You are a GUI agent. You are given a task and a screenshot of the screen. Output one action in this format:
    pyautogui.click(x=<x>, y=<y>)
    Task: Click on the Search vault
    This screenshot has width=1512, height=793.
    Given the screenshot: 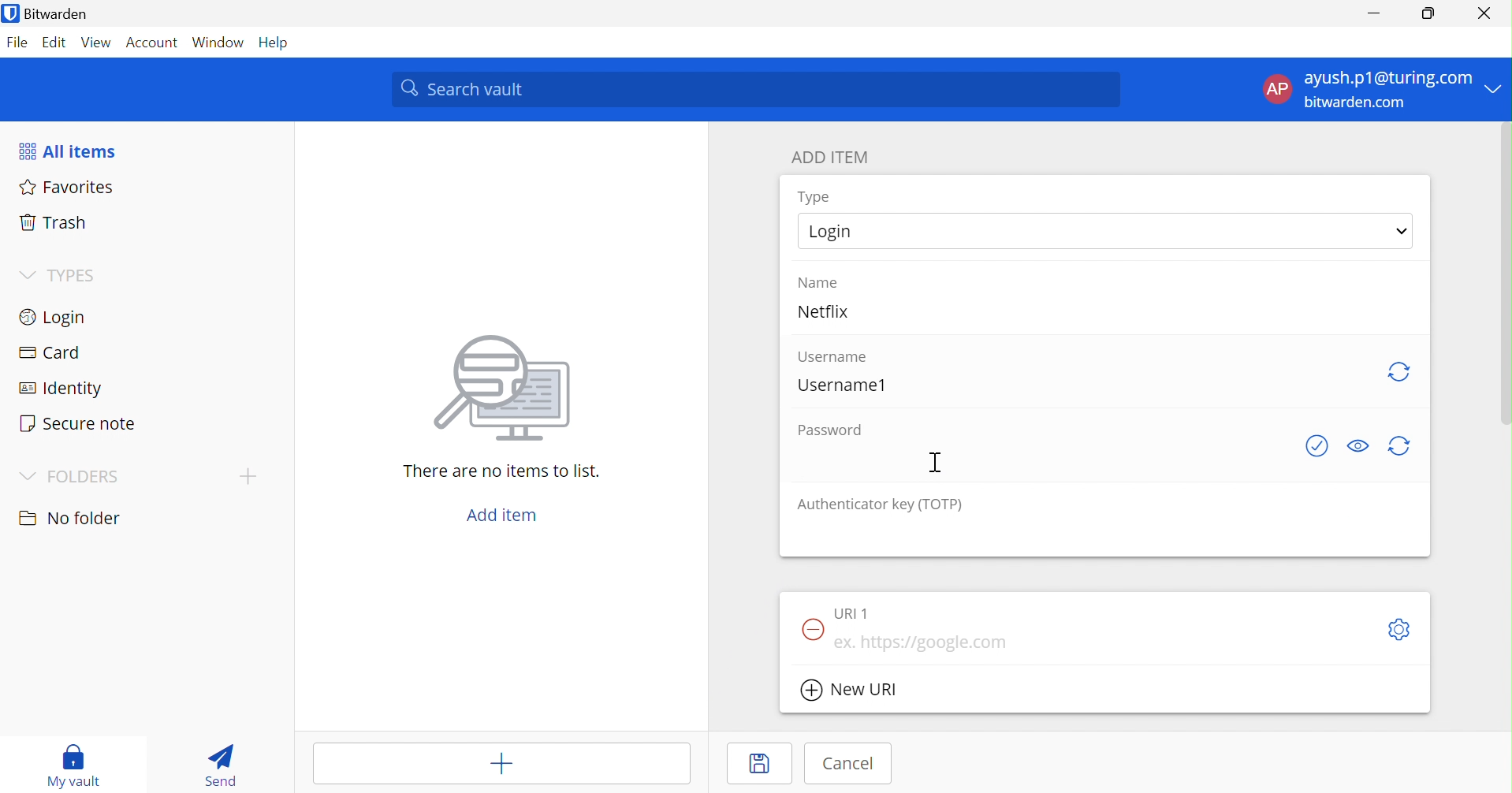 What is the action you would take?
    pyautogui.click(x=754, y=88)
    